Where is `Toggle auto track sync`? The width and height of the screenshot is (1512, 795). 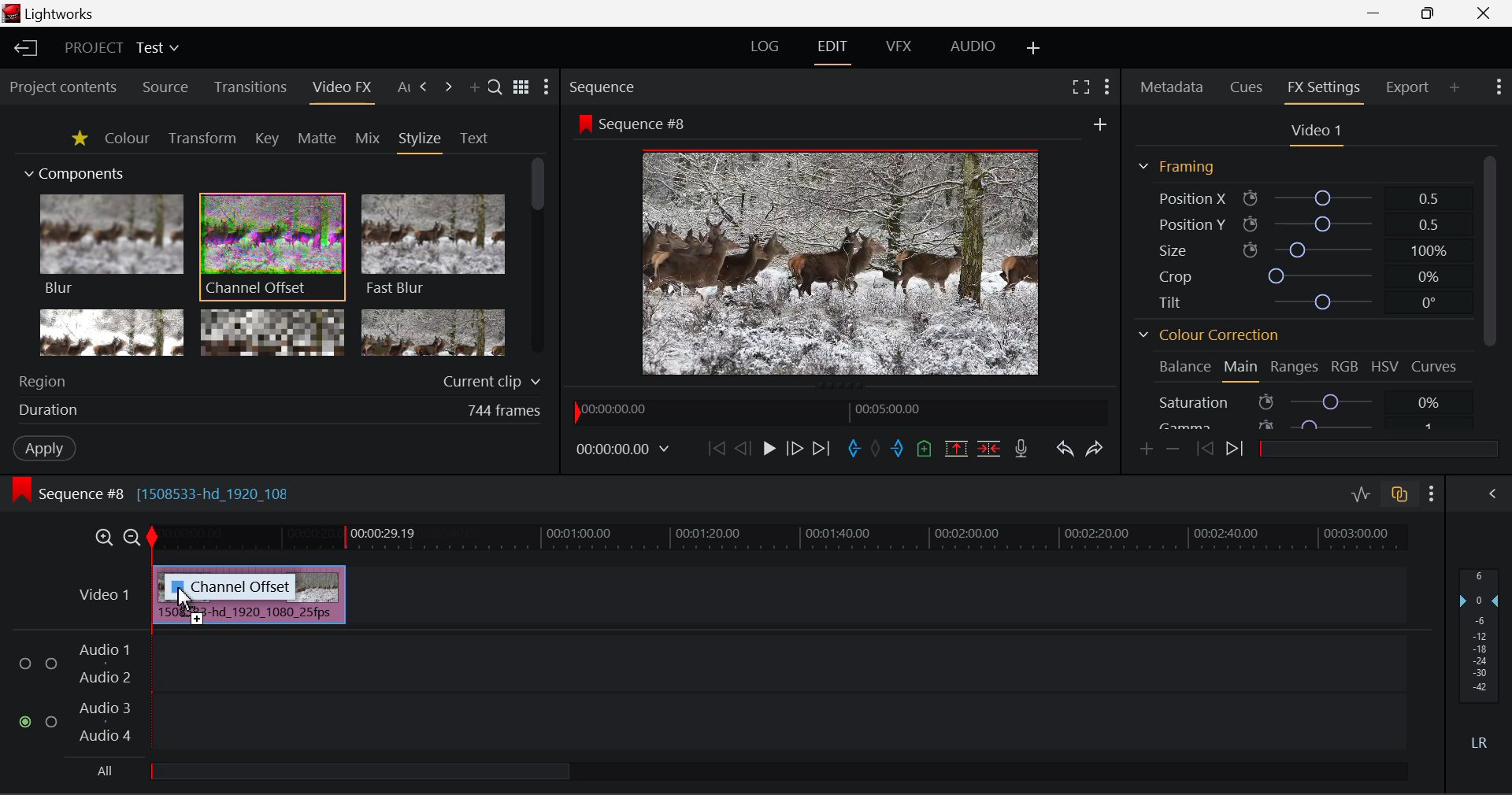 Toggle auto track sync is located at coordinates (1398, 494).